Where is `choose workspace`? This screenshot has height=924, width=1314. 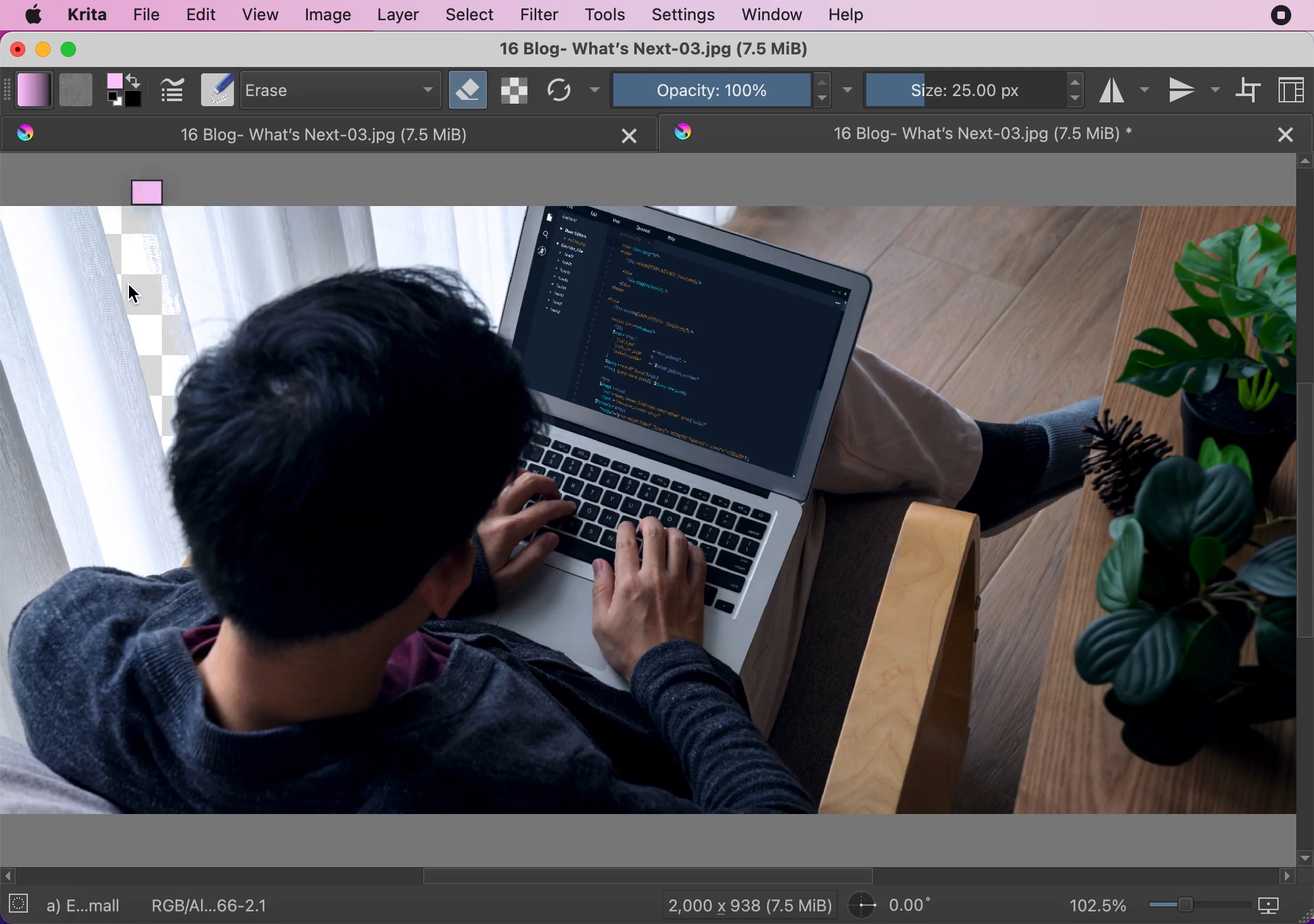
choose workspace is located at coordinates (1294, 89).